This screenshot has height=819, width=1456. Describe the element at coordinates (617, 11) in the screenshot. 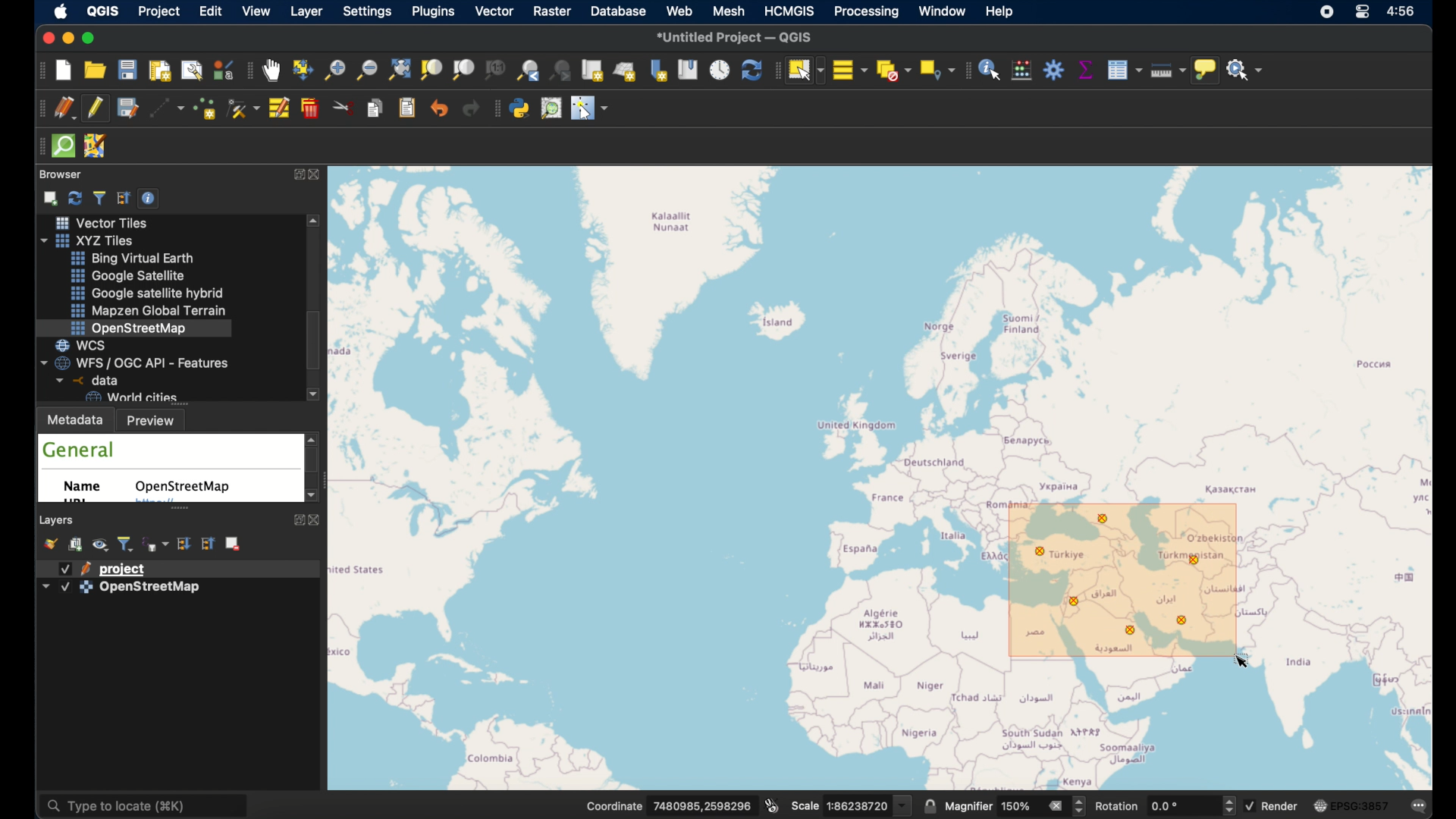

I see `database` at that location.